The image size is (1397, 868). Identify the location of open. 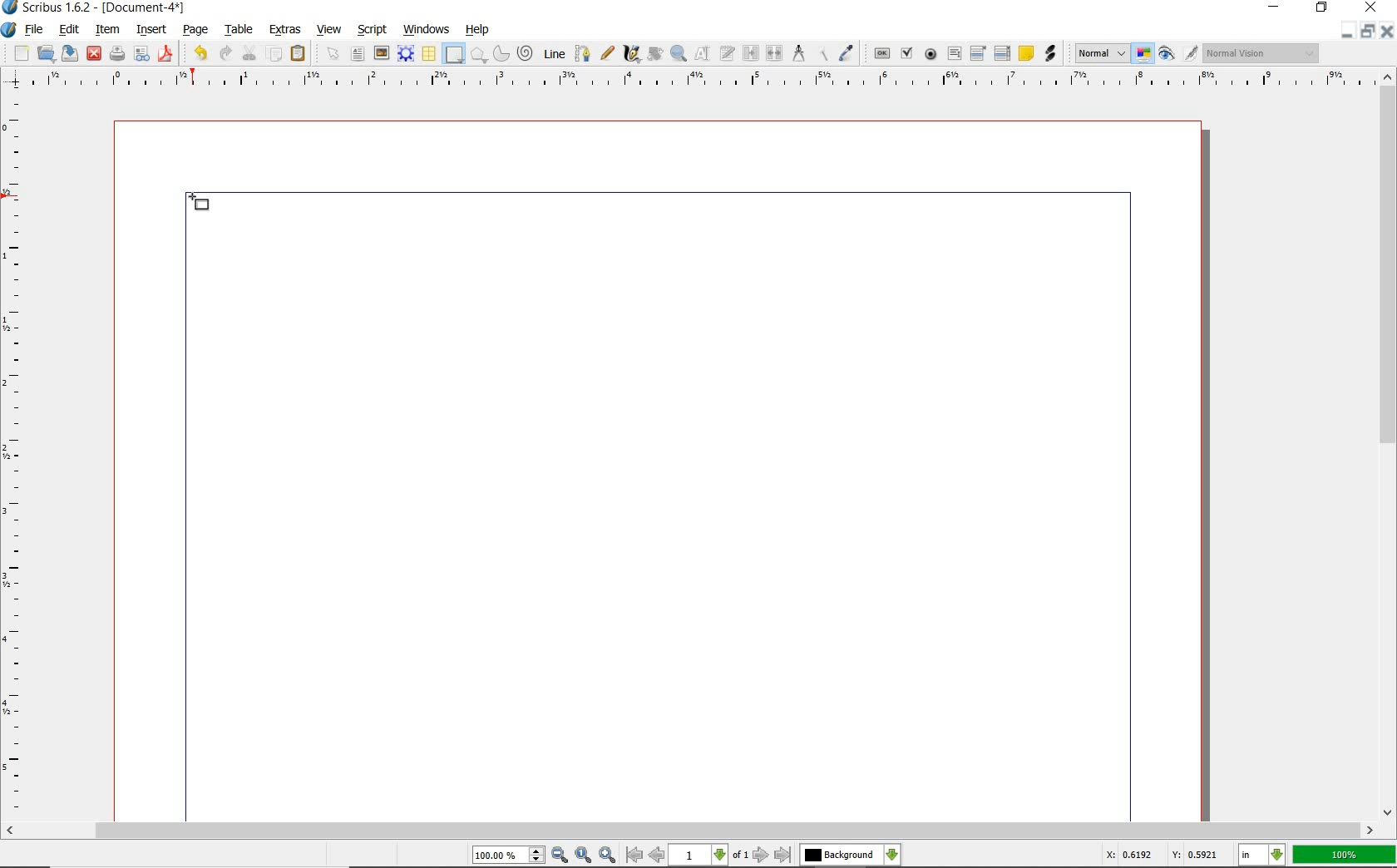
(47, 54).